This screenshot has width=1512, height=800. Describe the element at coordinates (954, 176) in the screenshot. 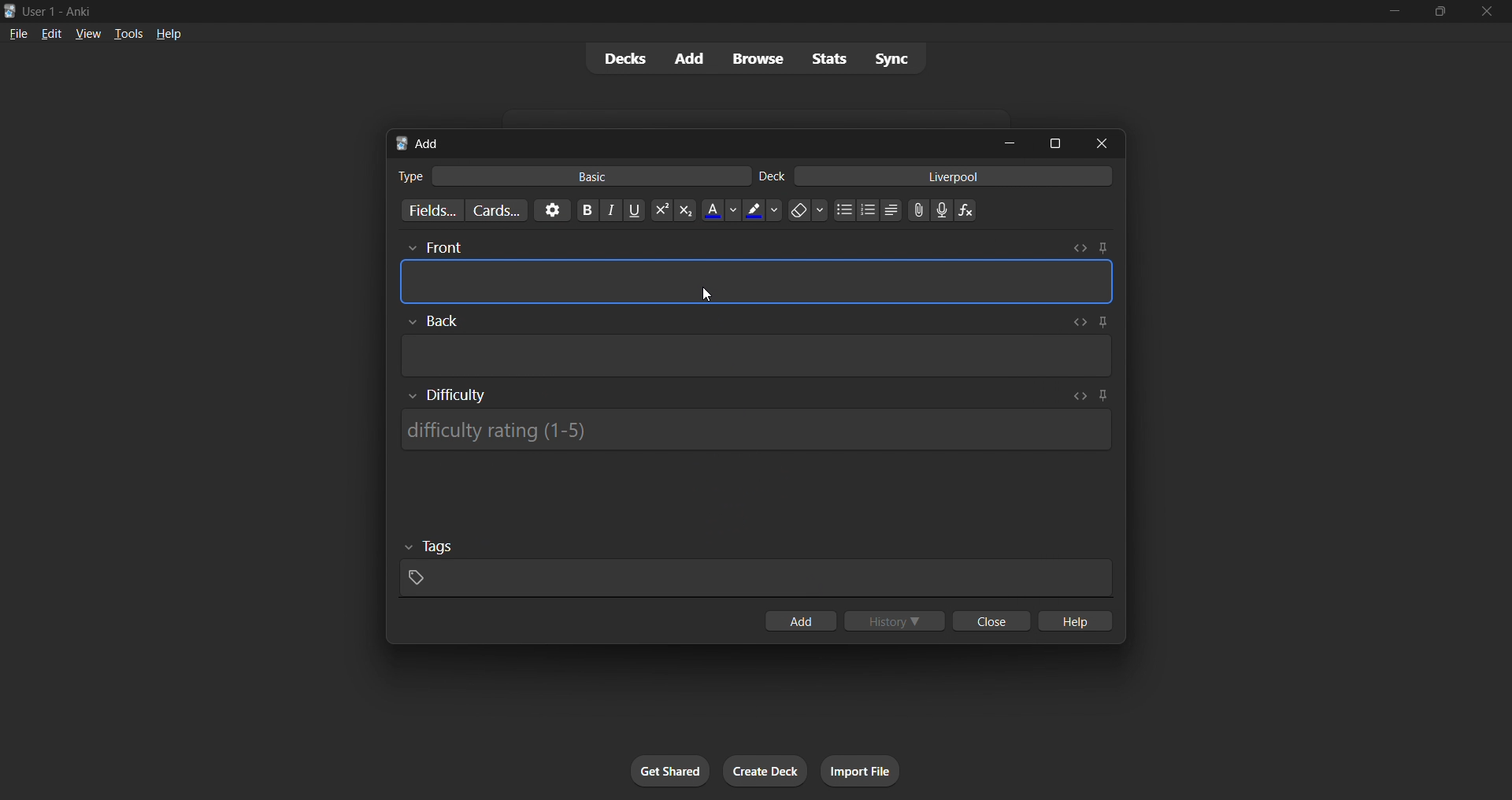

I see `card deck input` at that location.